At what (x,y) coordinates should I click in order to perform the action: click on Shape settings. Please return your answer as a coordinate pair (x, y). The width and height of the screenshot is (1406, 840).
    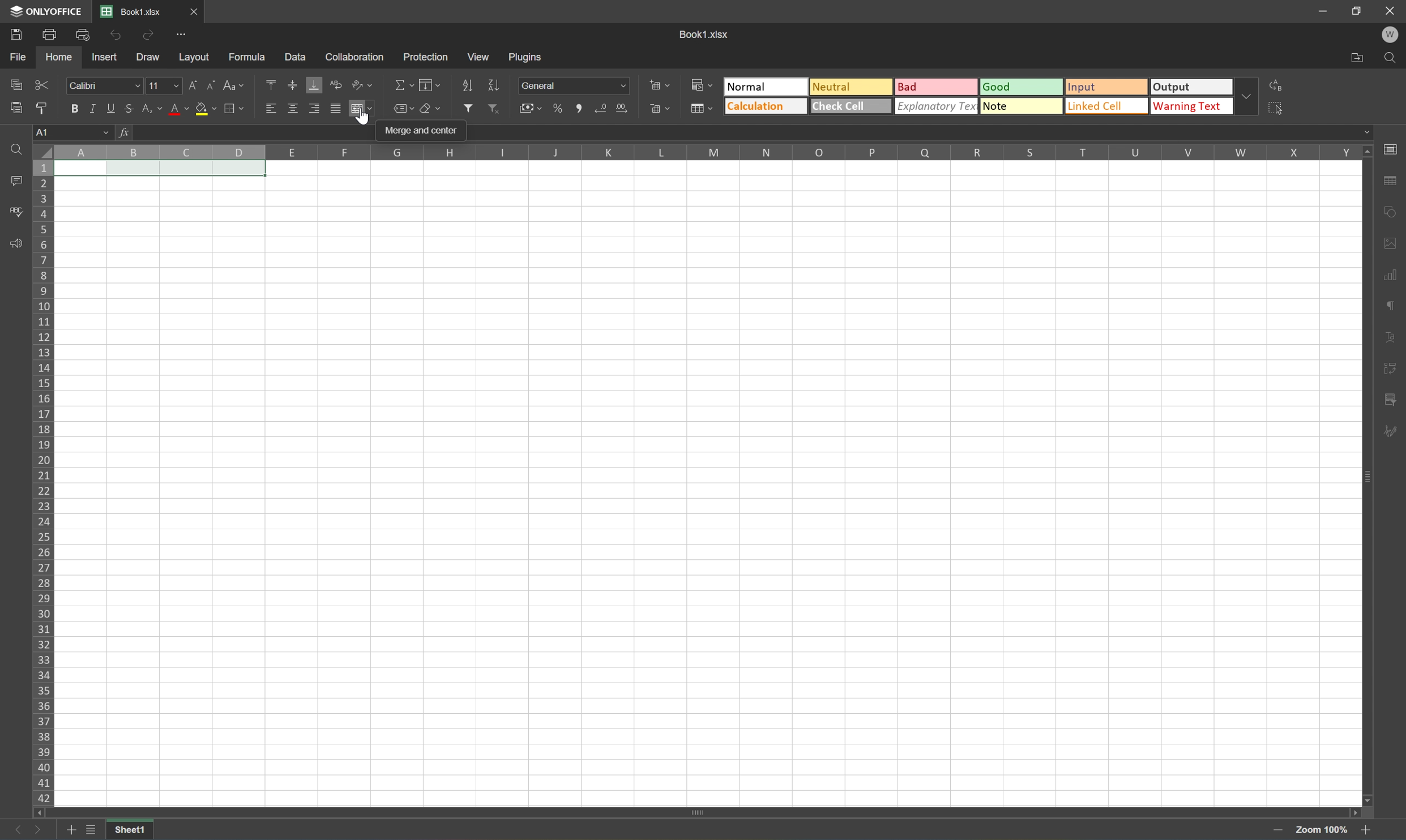
    Looking at the image, I should click on (1390, 214).